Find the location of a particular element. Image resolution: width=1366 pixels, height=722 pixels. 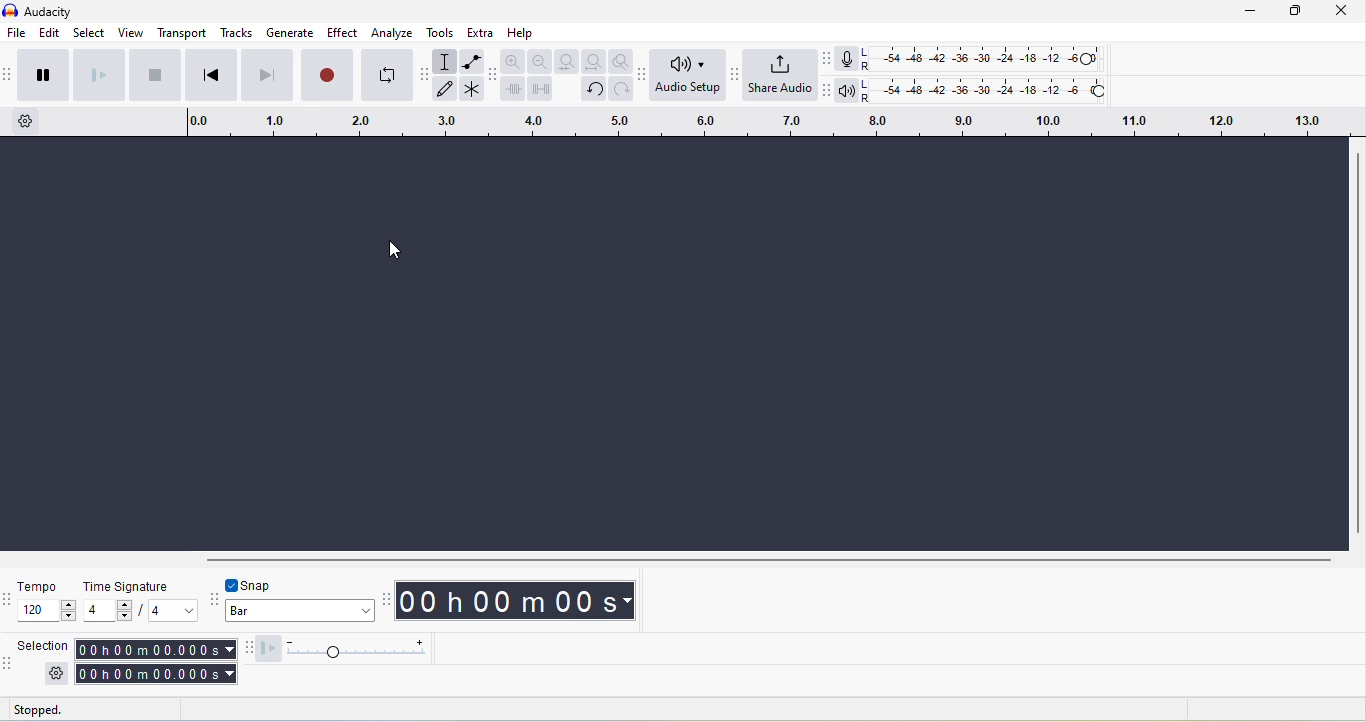

trim audio outside selection is located at coordinates (514, 90).